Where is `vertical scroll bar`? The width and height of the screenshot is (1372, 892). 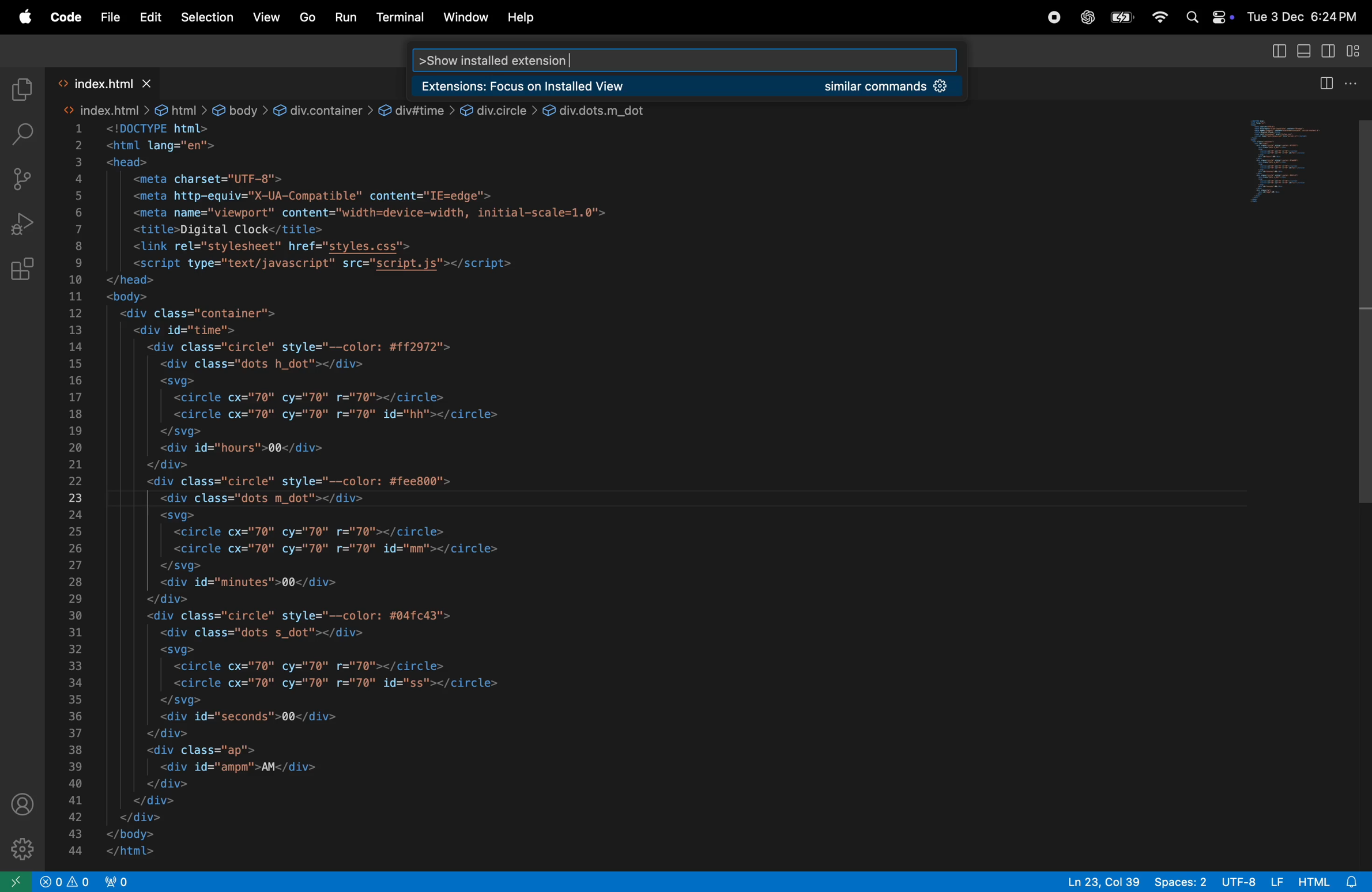
vertical scroll bar is located at coordinates (1358, 319).